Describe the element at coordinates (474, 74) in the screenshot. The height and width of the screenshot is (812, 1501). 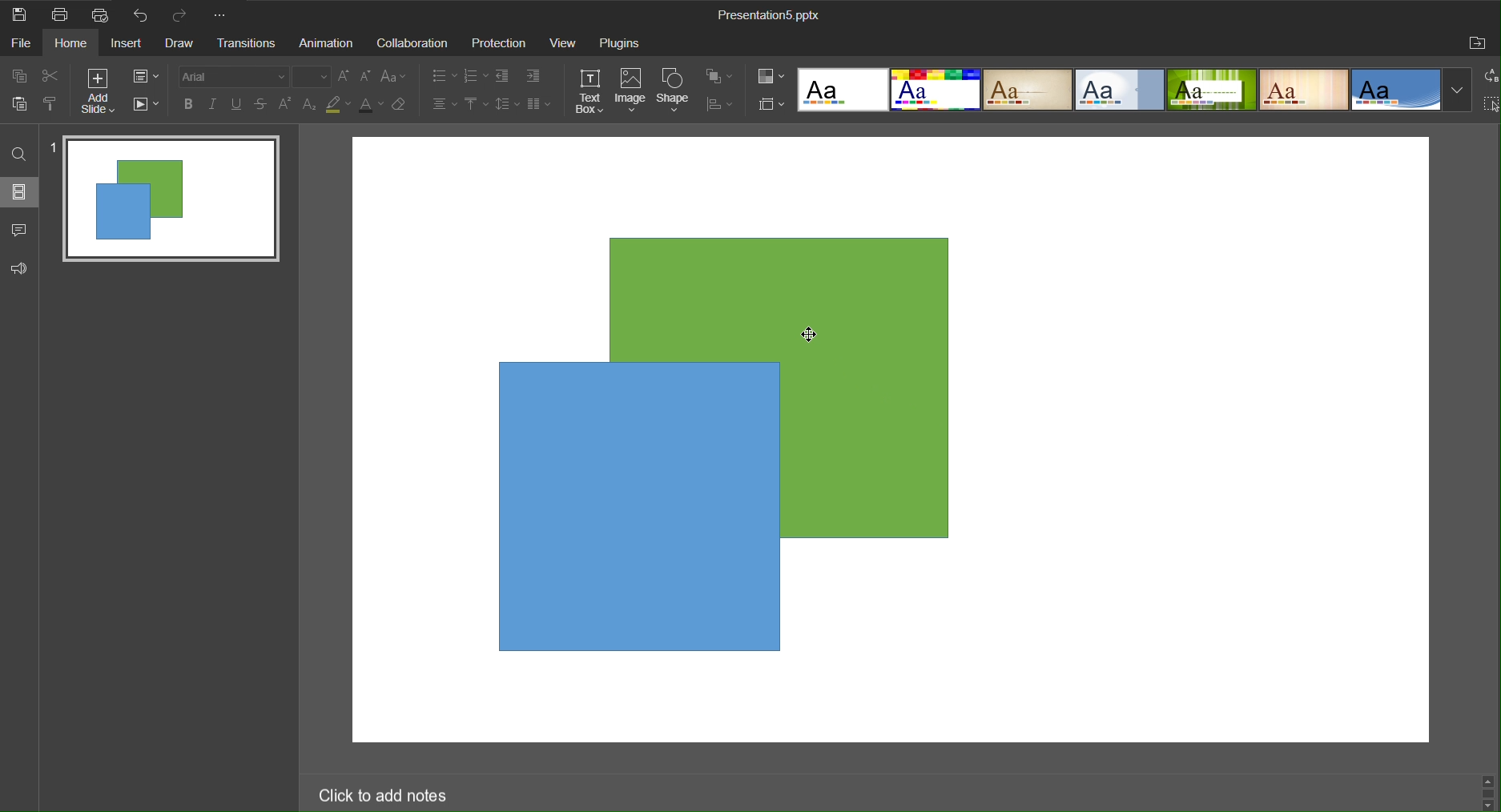
I see `numbered list` at that location.